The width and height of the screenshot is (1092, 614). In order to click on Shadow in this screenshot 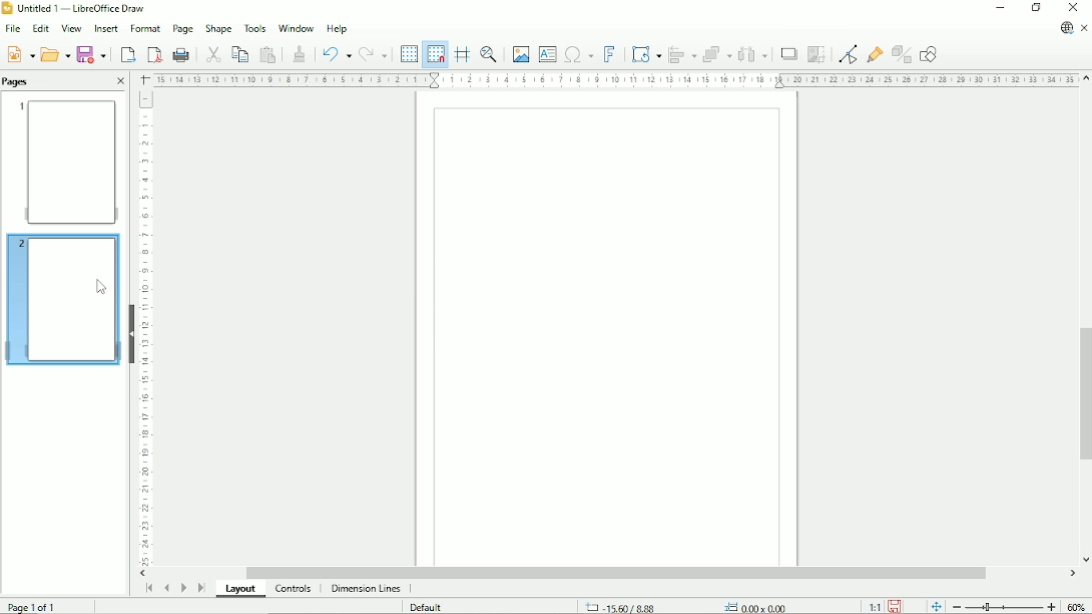, I will do `click(788, 54)`.